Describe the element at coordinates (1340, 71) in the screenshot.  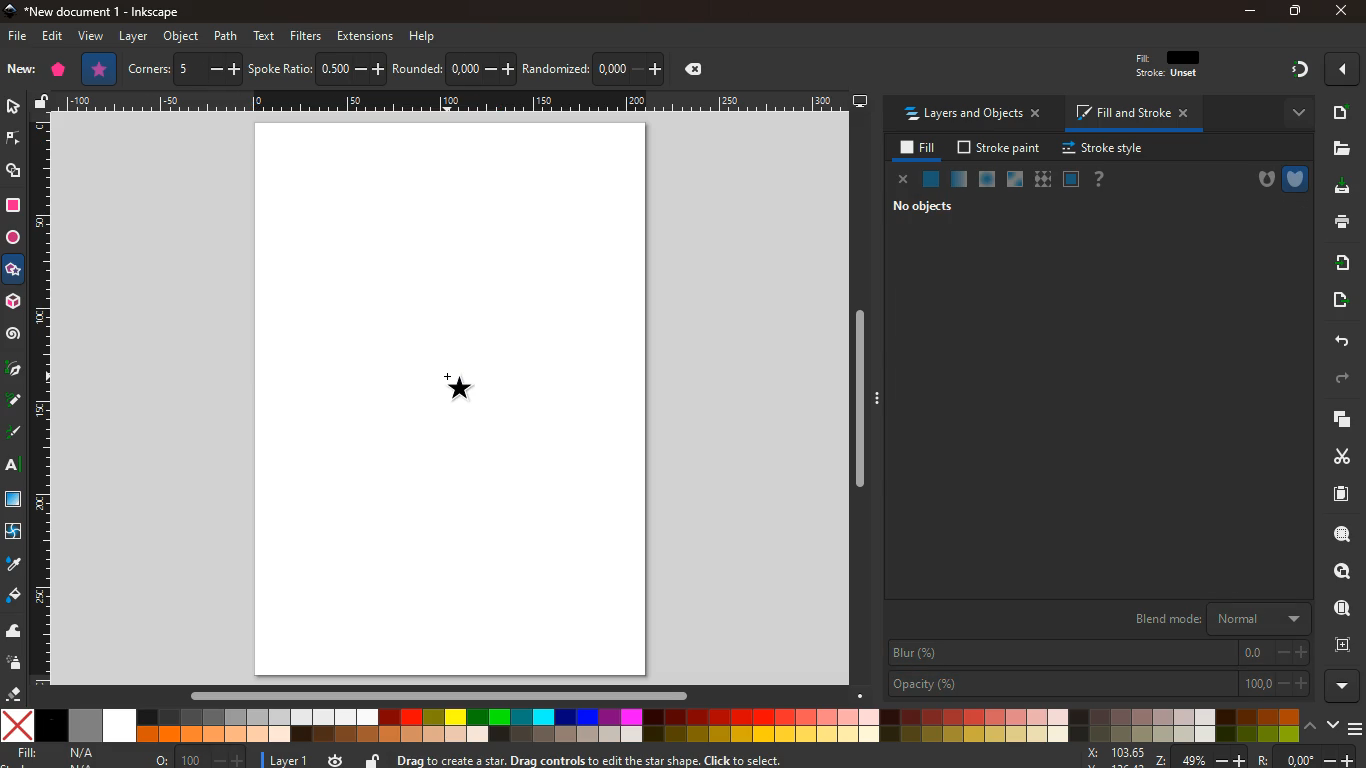
I see `more` at that location.